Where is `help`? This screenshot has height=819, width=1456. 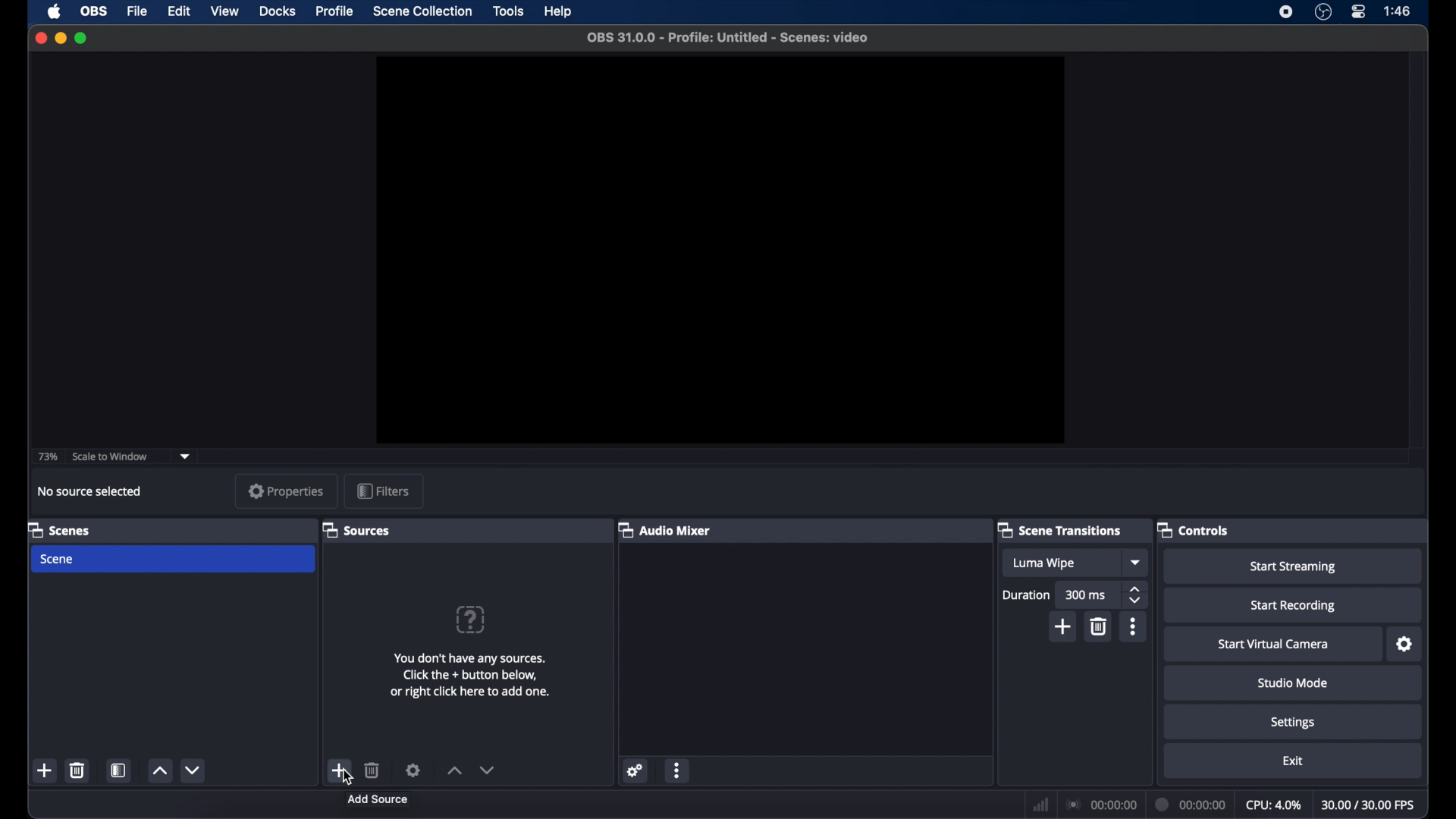 help is located at coordinates (560, 13).